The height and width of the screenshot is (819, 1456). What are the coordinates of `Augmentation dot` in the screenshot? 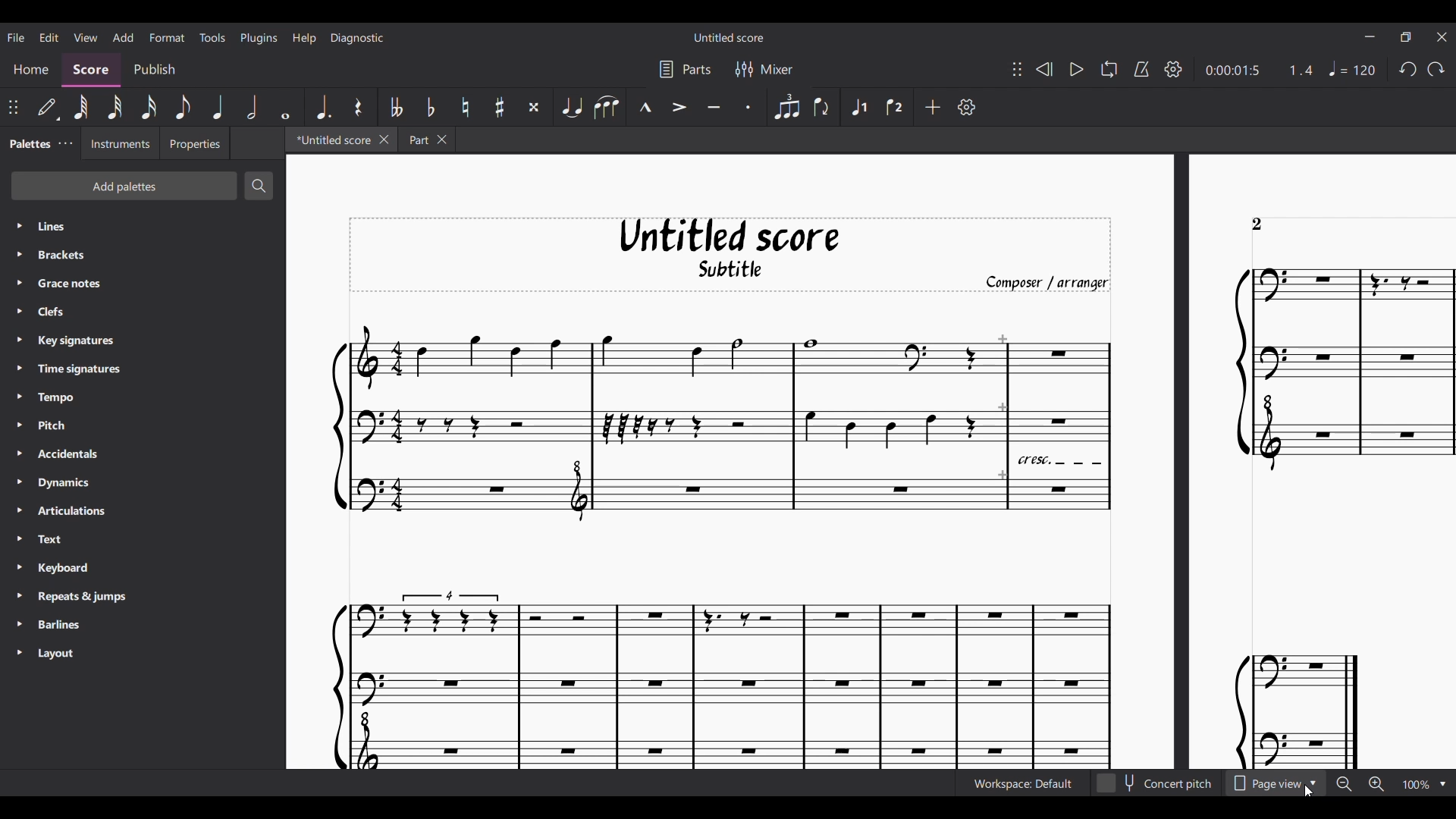 It's located at (322, 106).